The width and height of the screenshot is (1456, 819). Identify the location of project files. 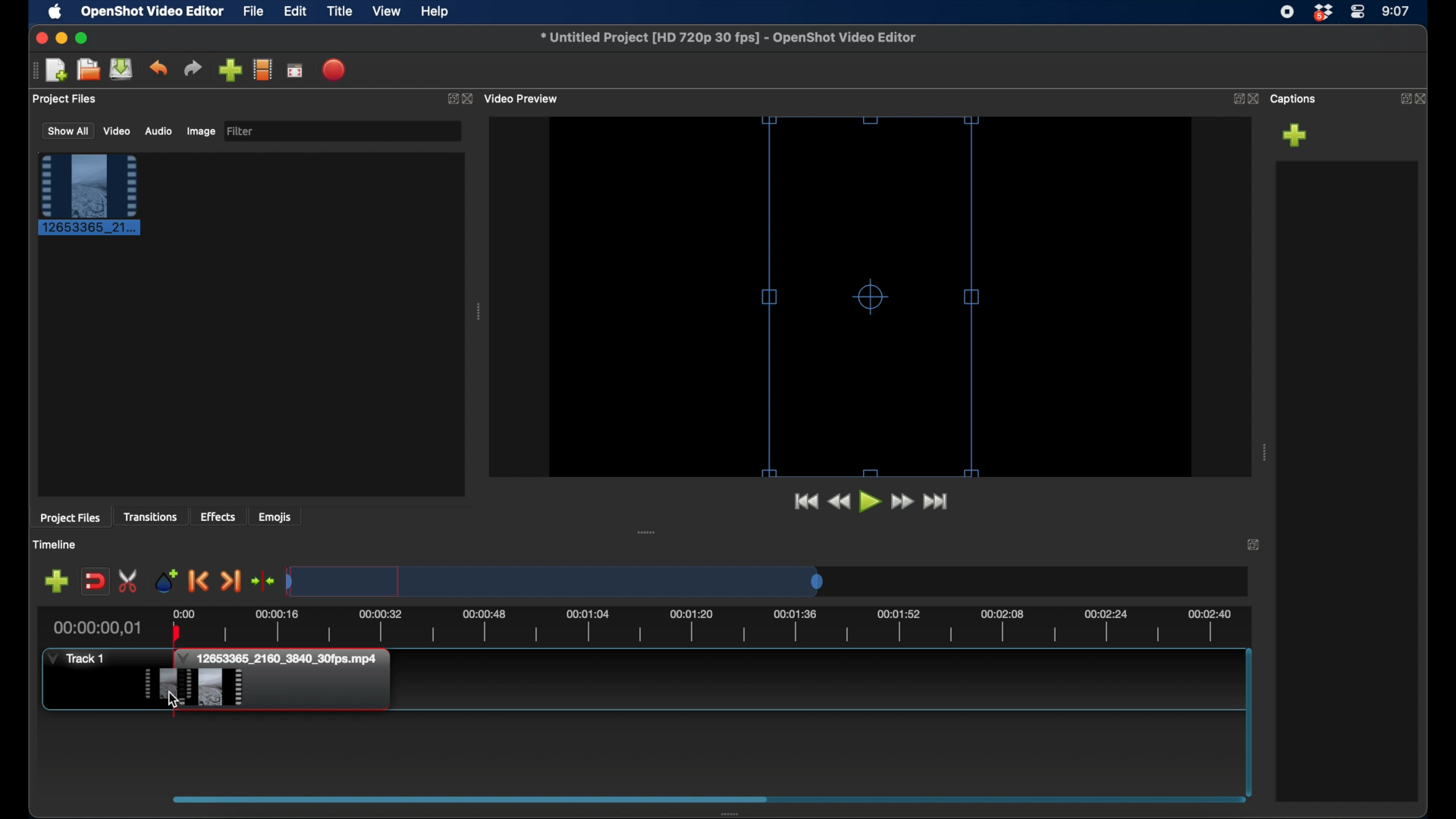
(66, 99).